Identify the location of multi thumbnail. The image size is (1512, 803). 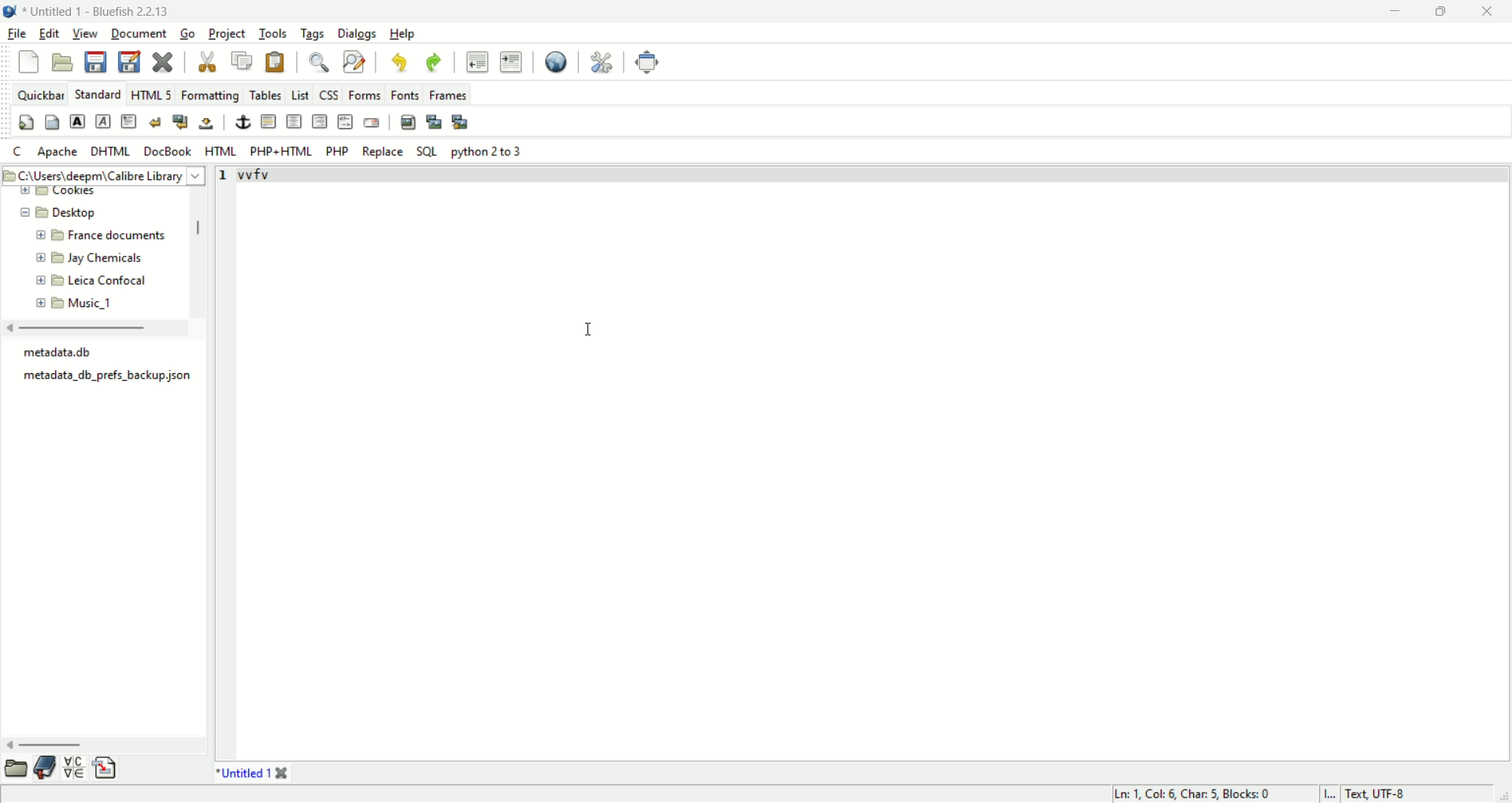
(460, 120).